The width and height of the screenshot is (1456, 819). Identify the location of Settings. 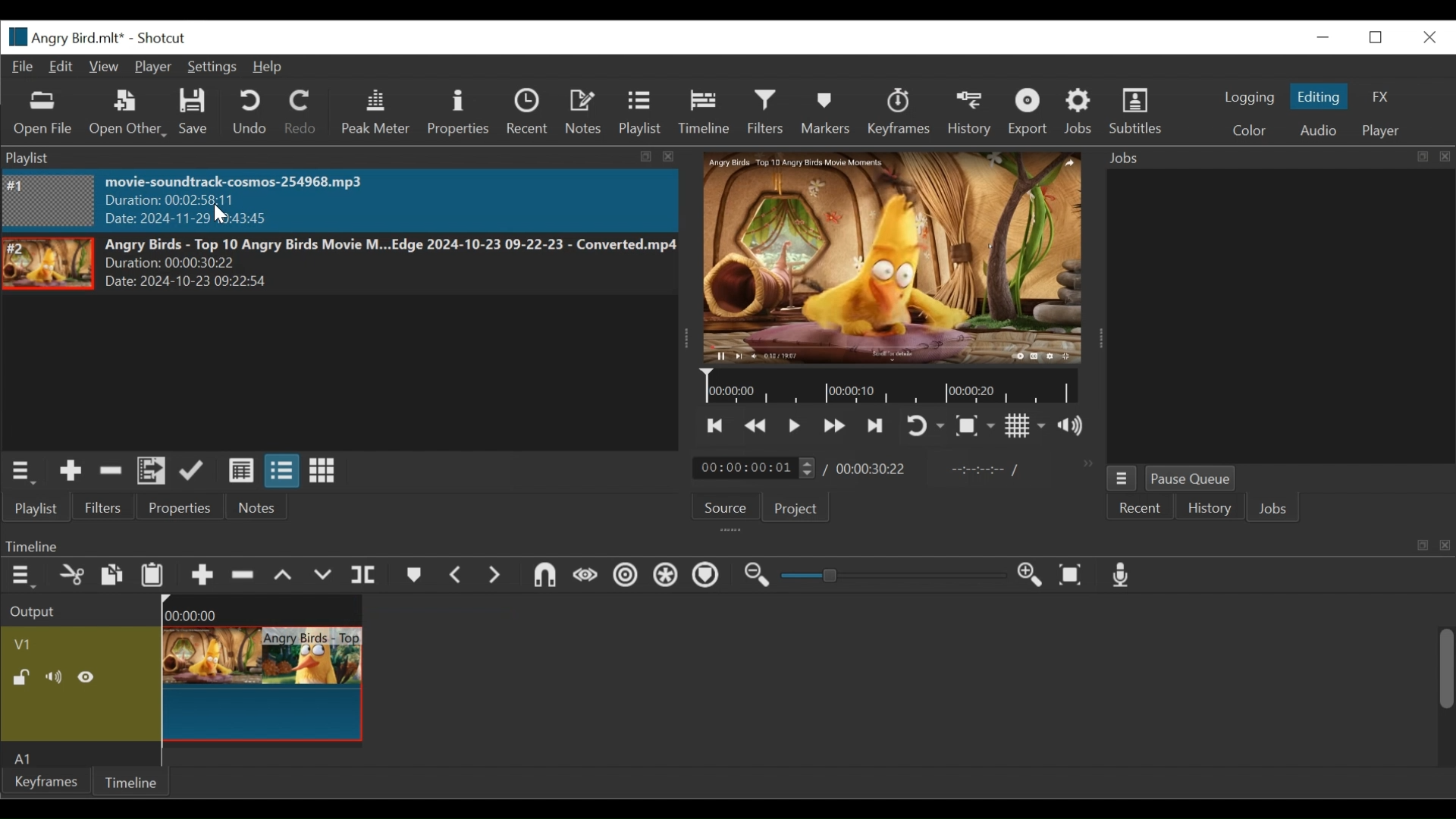
(210, 67).